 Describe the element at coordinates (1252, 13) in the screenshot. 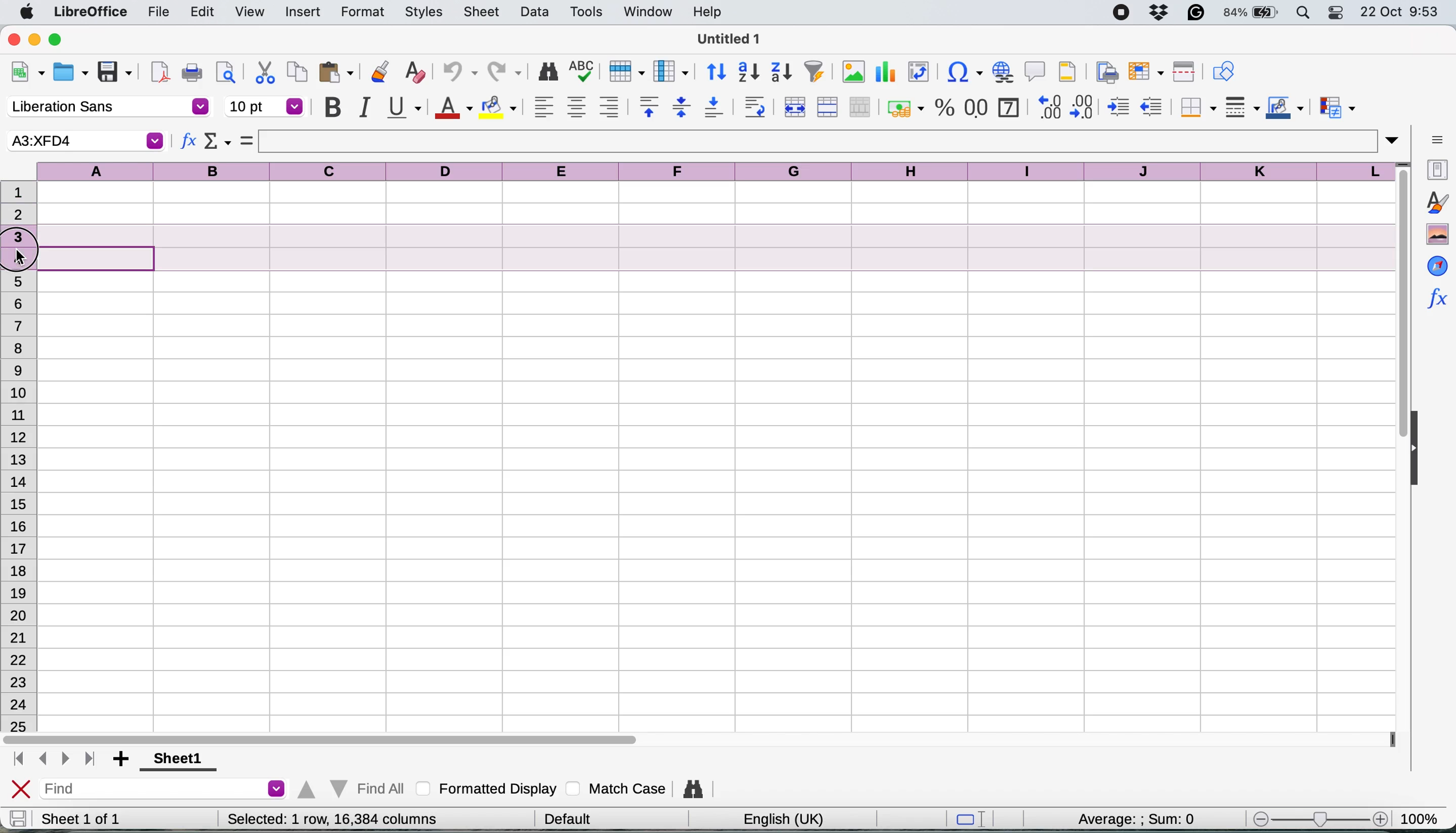

I see `battery` at that location.